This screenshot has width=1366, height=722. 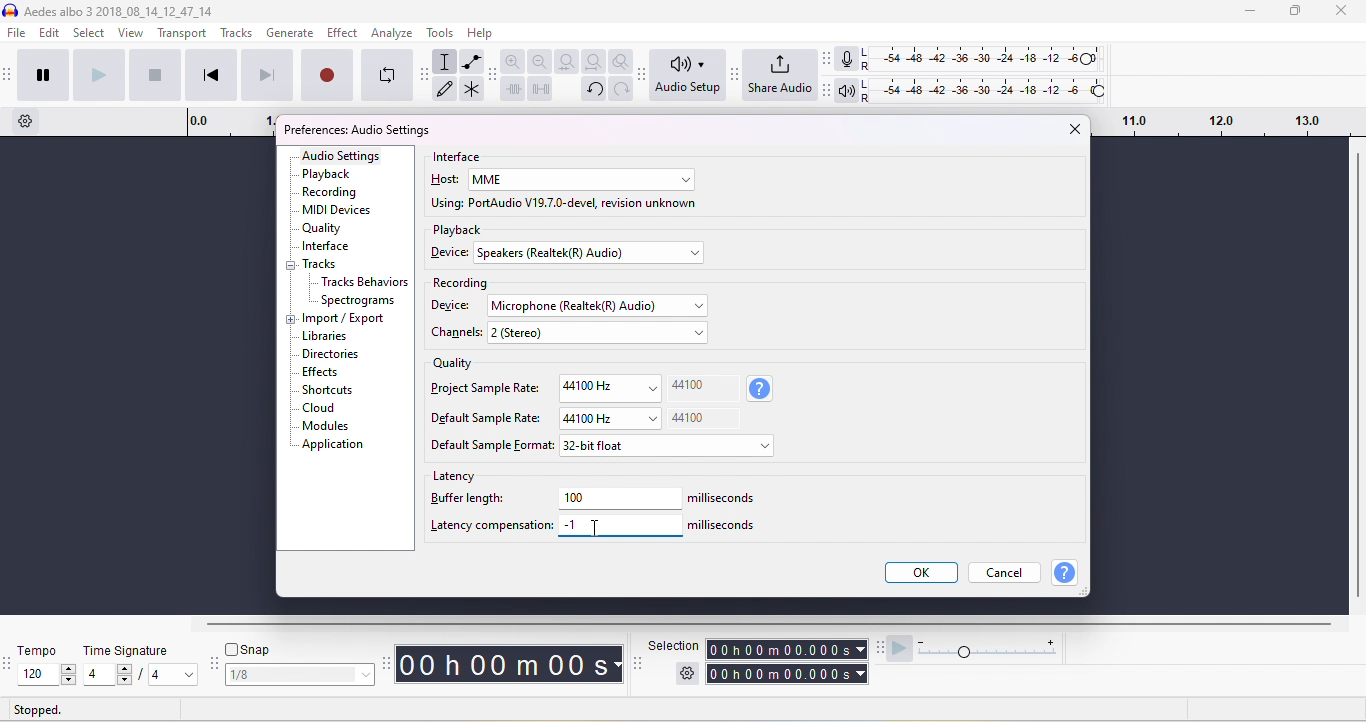 I want to click on audacity edit toolbar, so click(x=492, y=74).